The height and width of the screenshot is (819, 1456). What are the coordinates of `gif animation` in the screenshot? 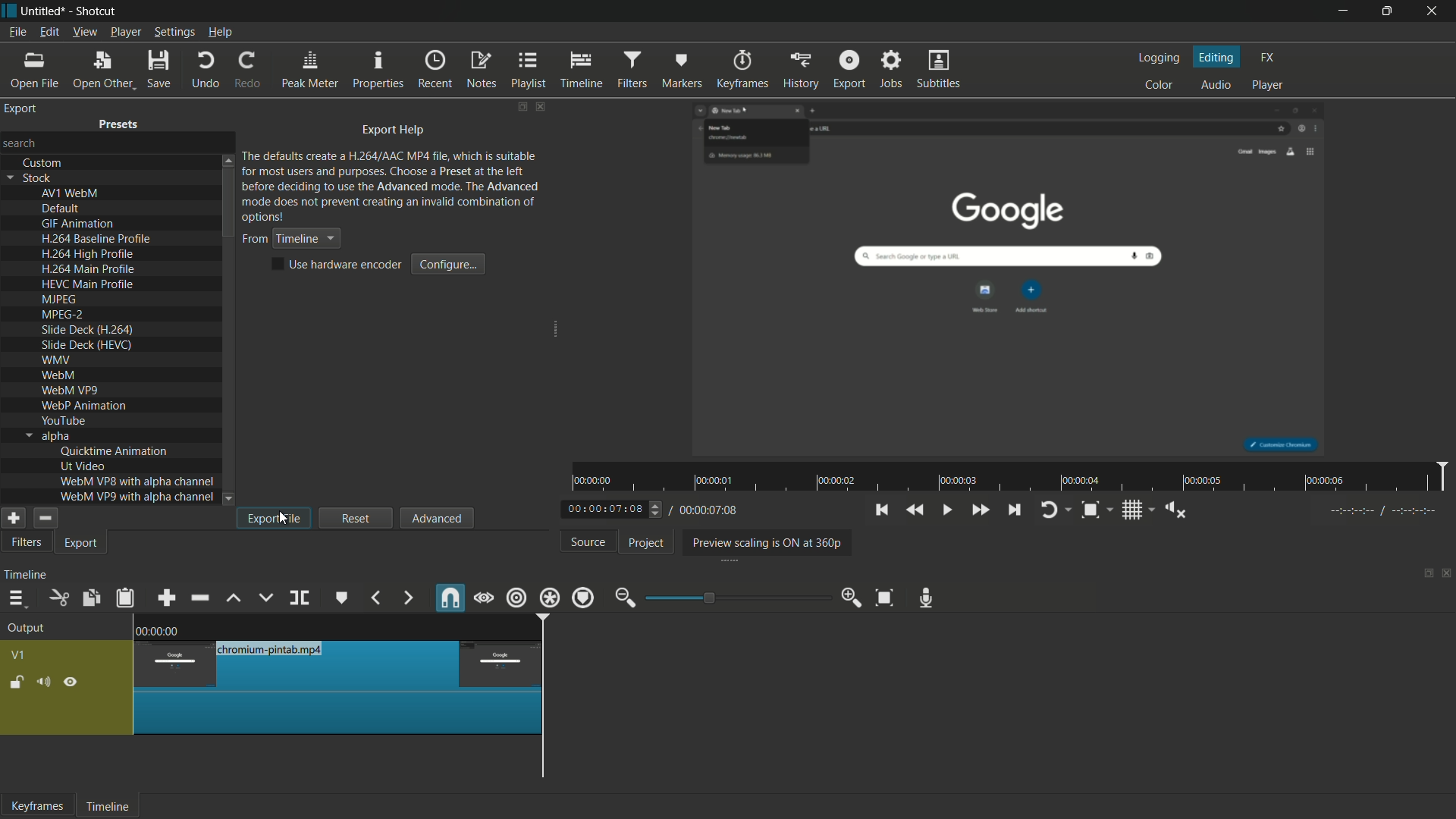 It's located at (79, 224).